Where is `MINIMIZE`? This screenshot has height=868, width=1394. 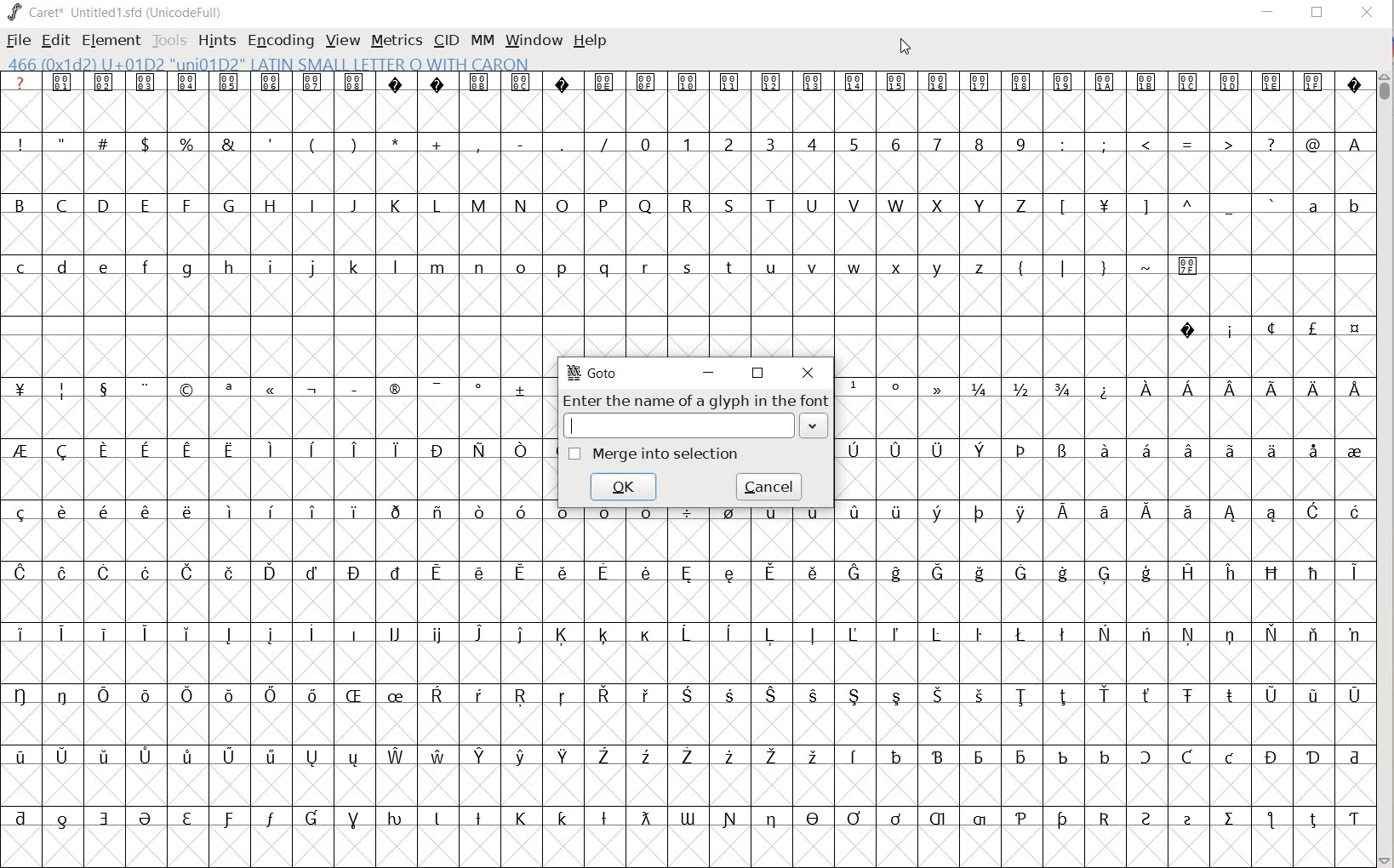 MINIMIZE is located at coordinates (1269, 11).